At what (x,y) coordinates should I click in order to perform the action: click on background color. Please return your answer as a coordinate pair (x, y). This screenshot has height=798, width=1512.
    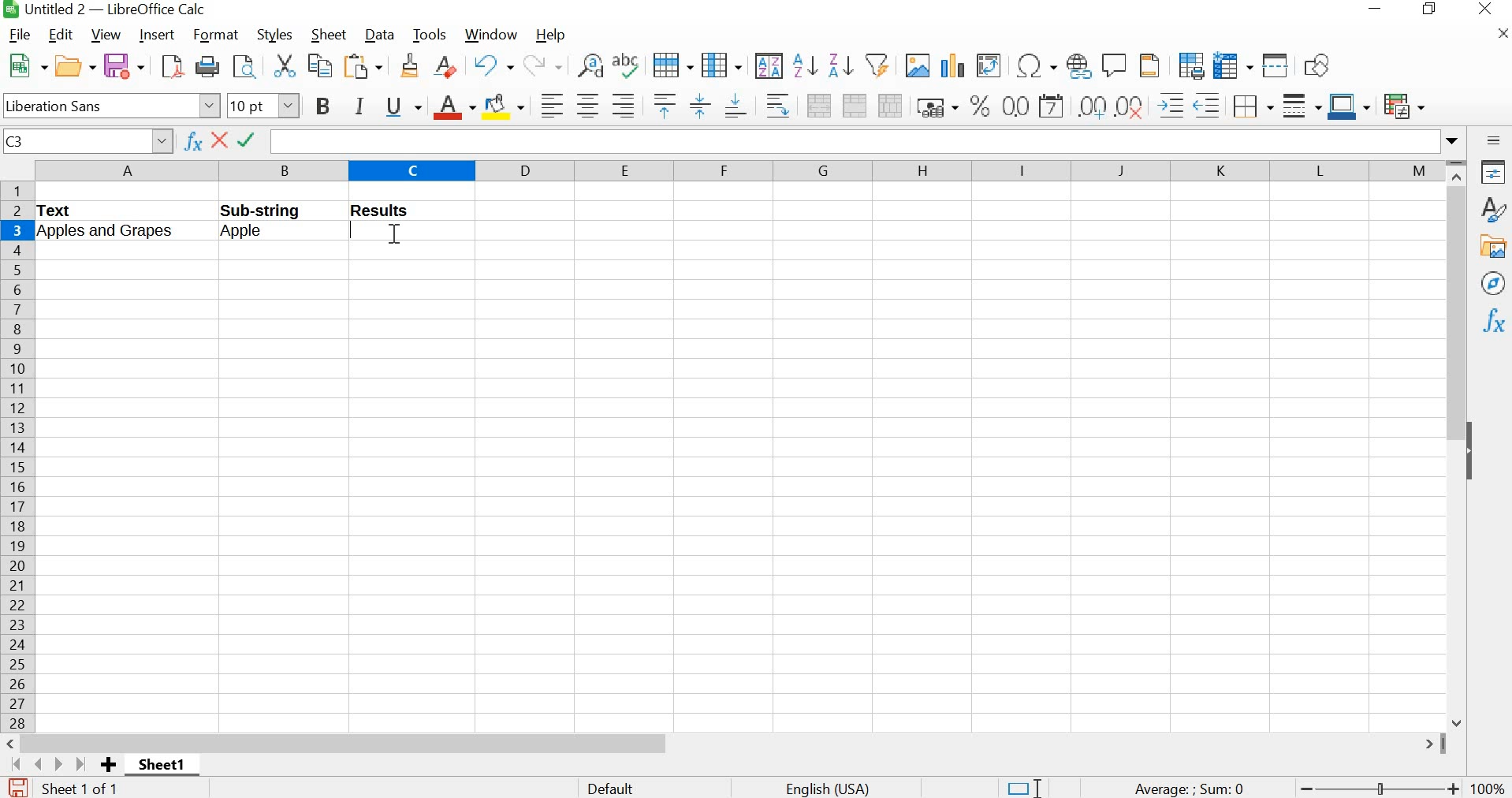
    Looking at the image, I should click on (505, 106).